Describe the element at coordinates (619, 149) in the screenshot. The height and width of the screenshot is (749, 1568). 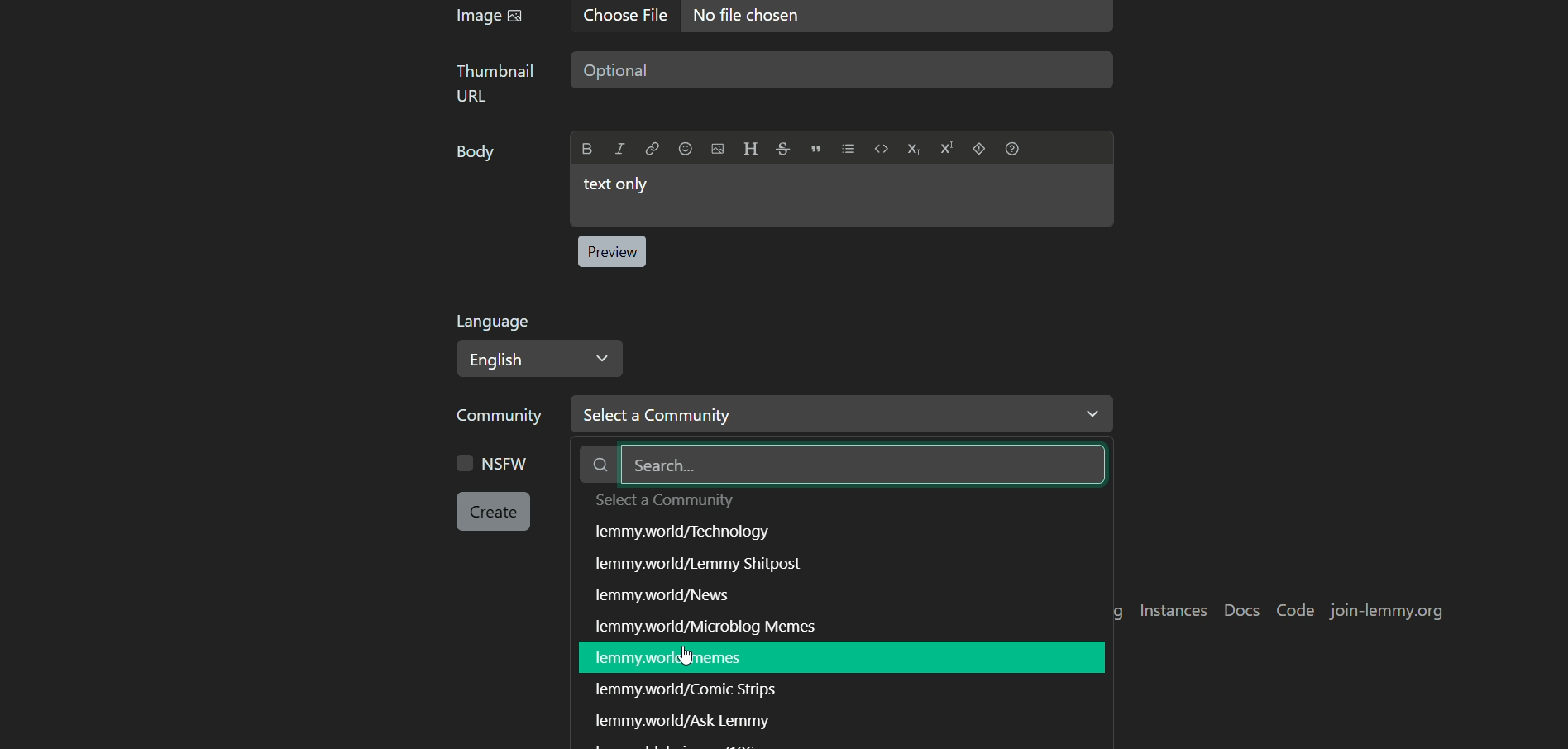
I see `Italic` at that location.